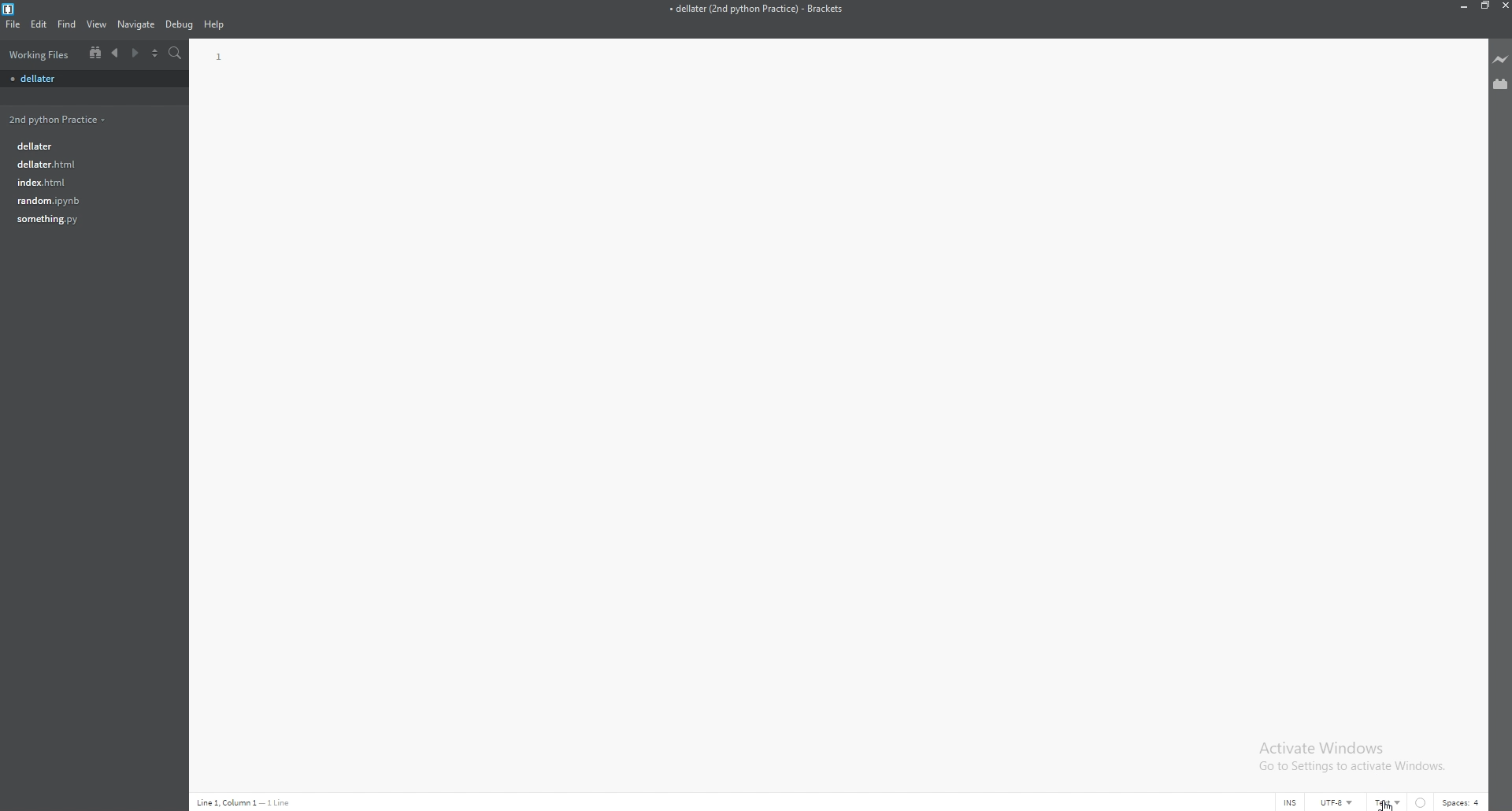 This screenshot has height=811, width=1512. I want to click on file, so click(85, 146).